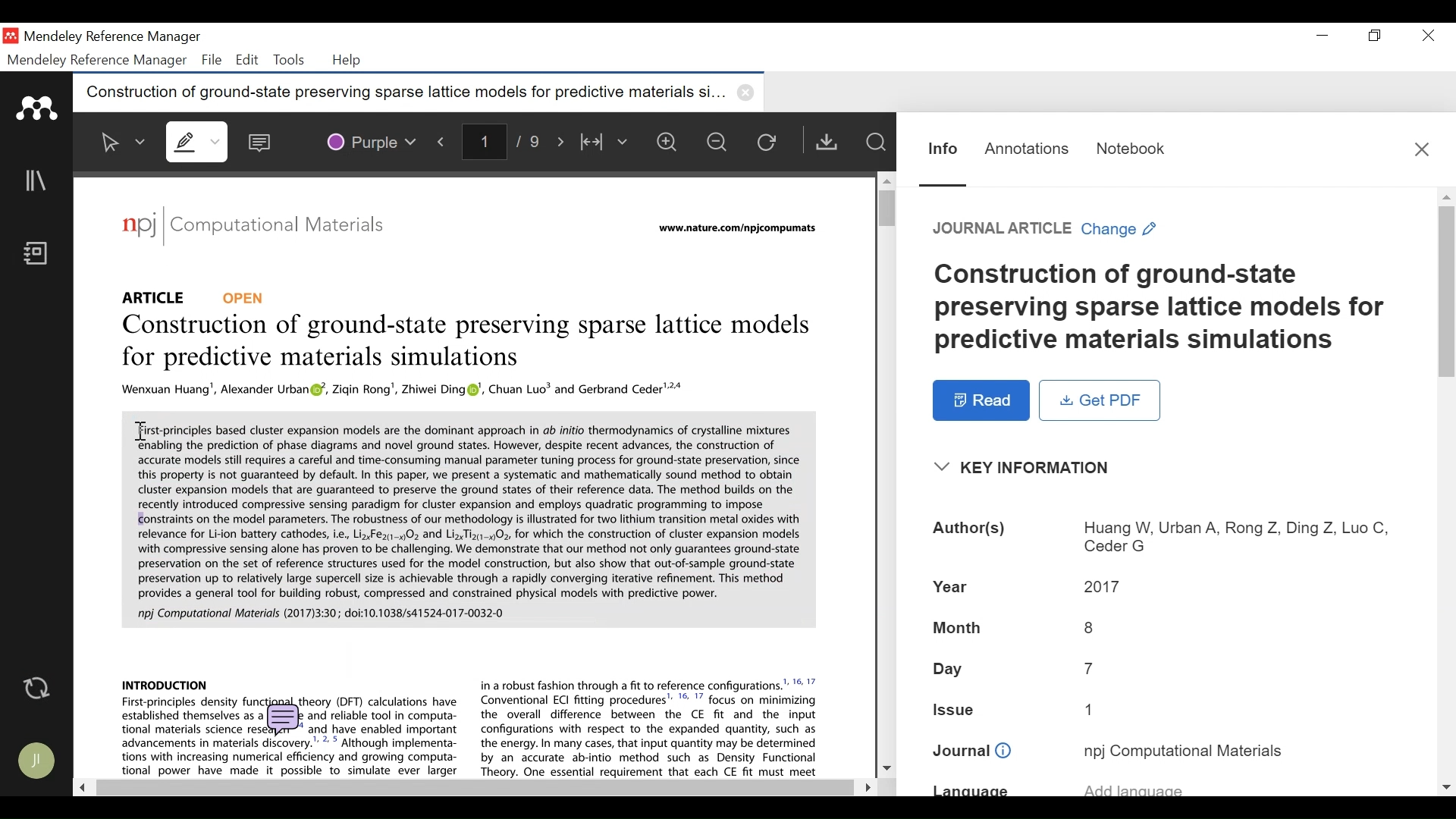  What do you see at coordinates (263, 139) in the screenshot?
I see `Sticky Note` at bounding box center [263, 139].